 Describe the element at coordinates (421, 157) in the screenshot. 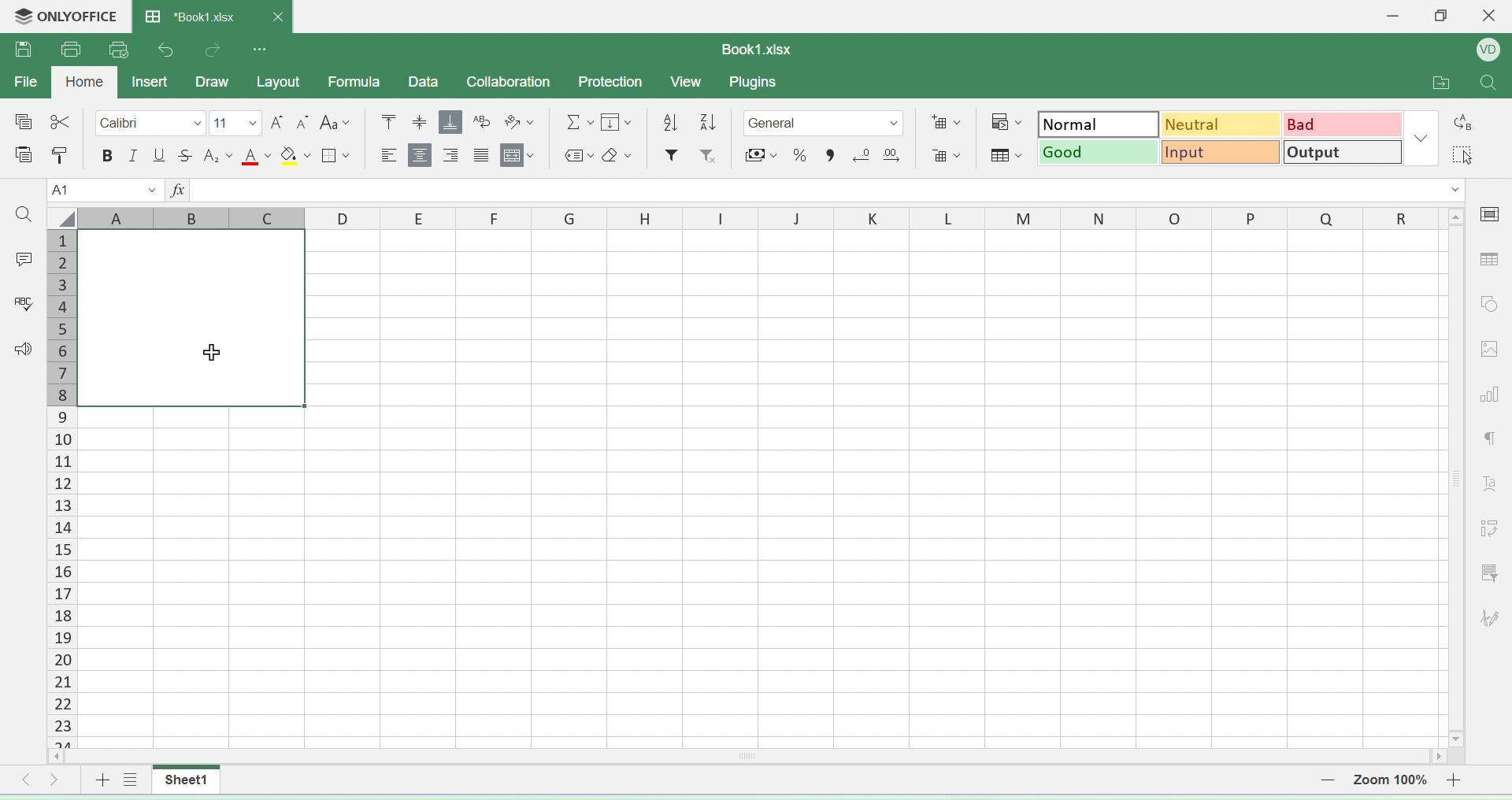

I see `align center` at that location.